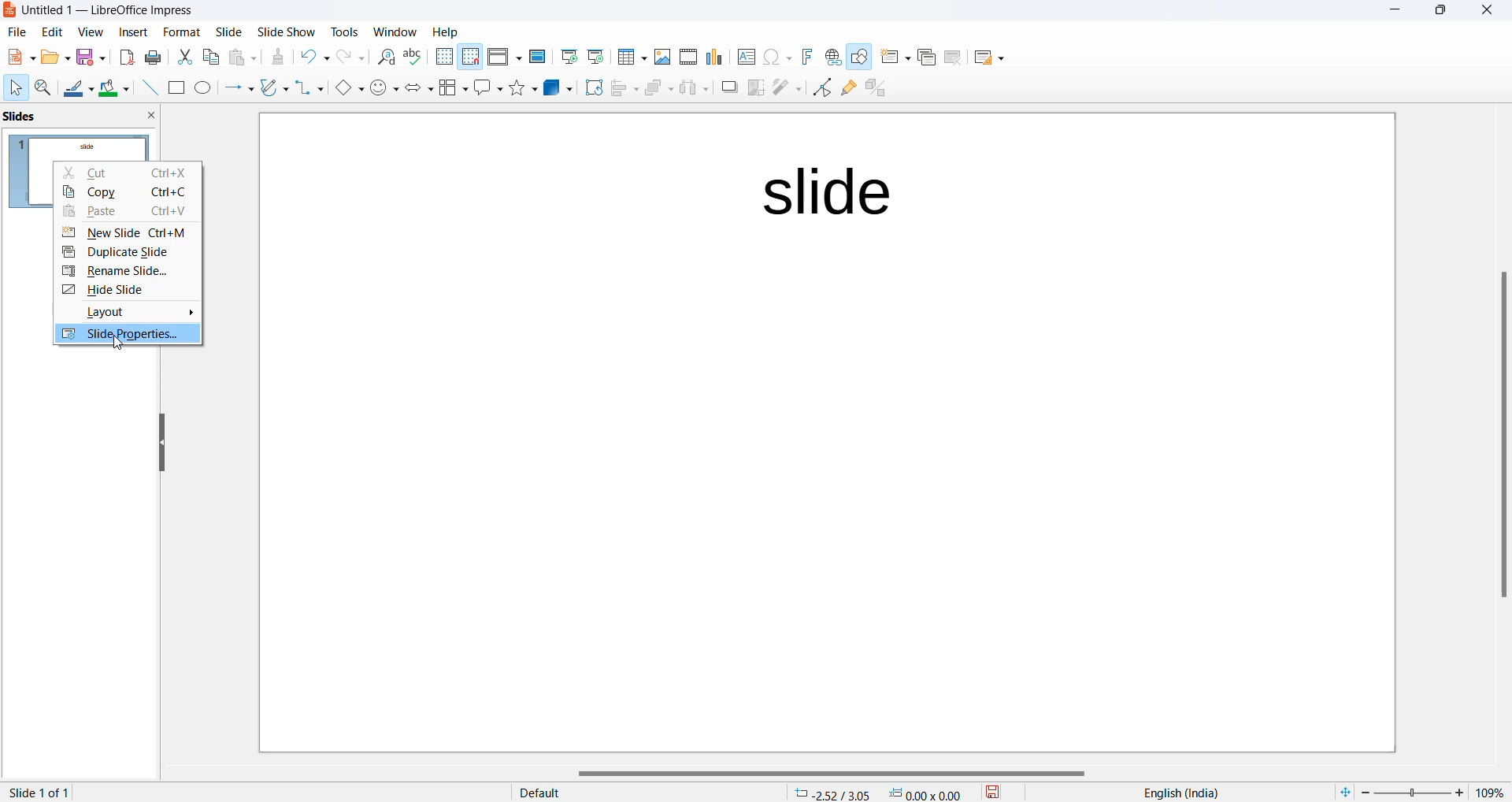 This screenshot has width=1512, height=802. Describe the element at coordinates (124, 293) in the screenshot. I see `hide slide ` at that location.